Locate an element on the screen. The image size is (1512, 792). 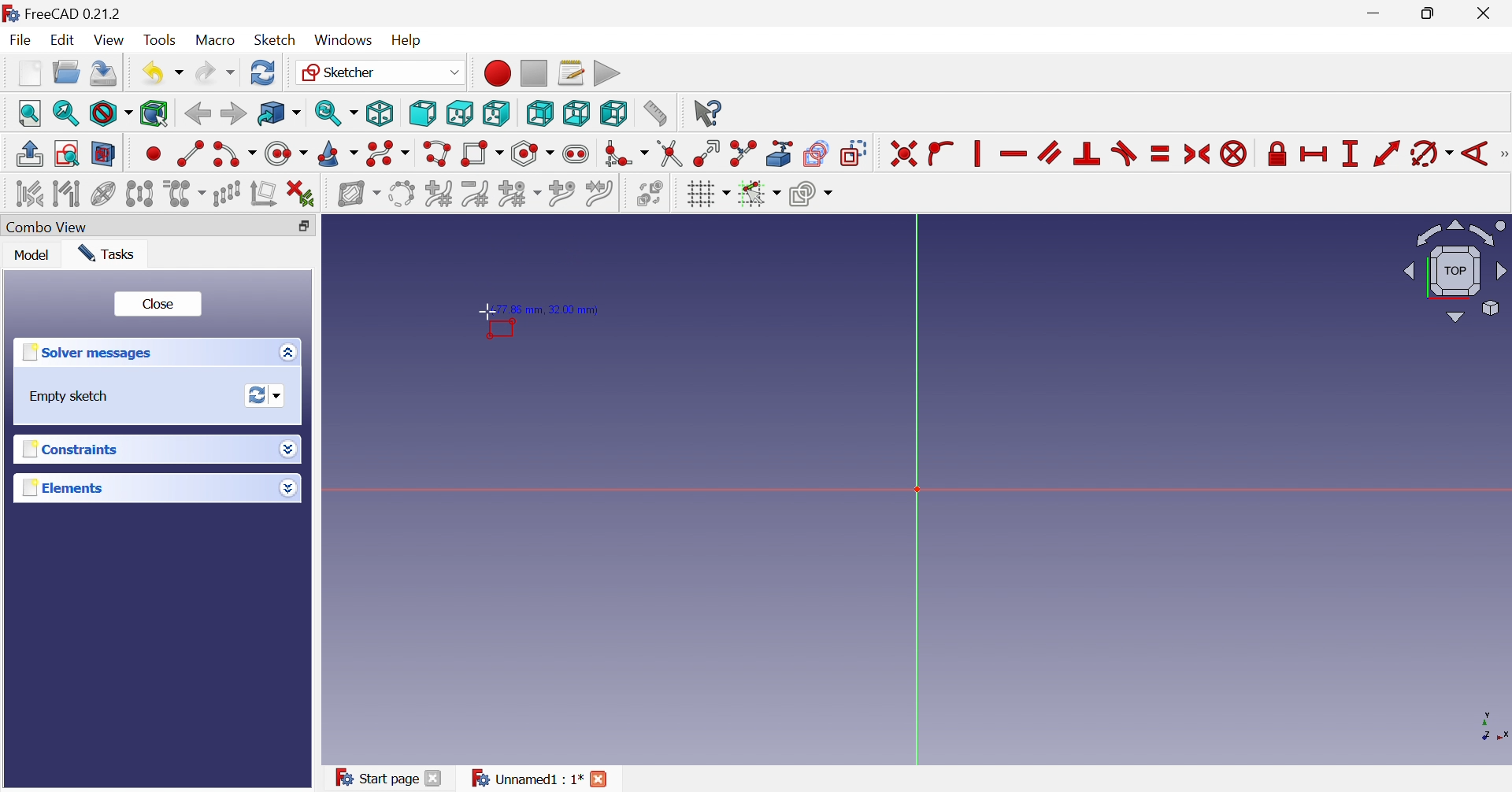
Modify knot multiplicity is located at coordinates (519, 195).